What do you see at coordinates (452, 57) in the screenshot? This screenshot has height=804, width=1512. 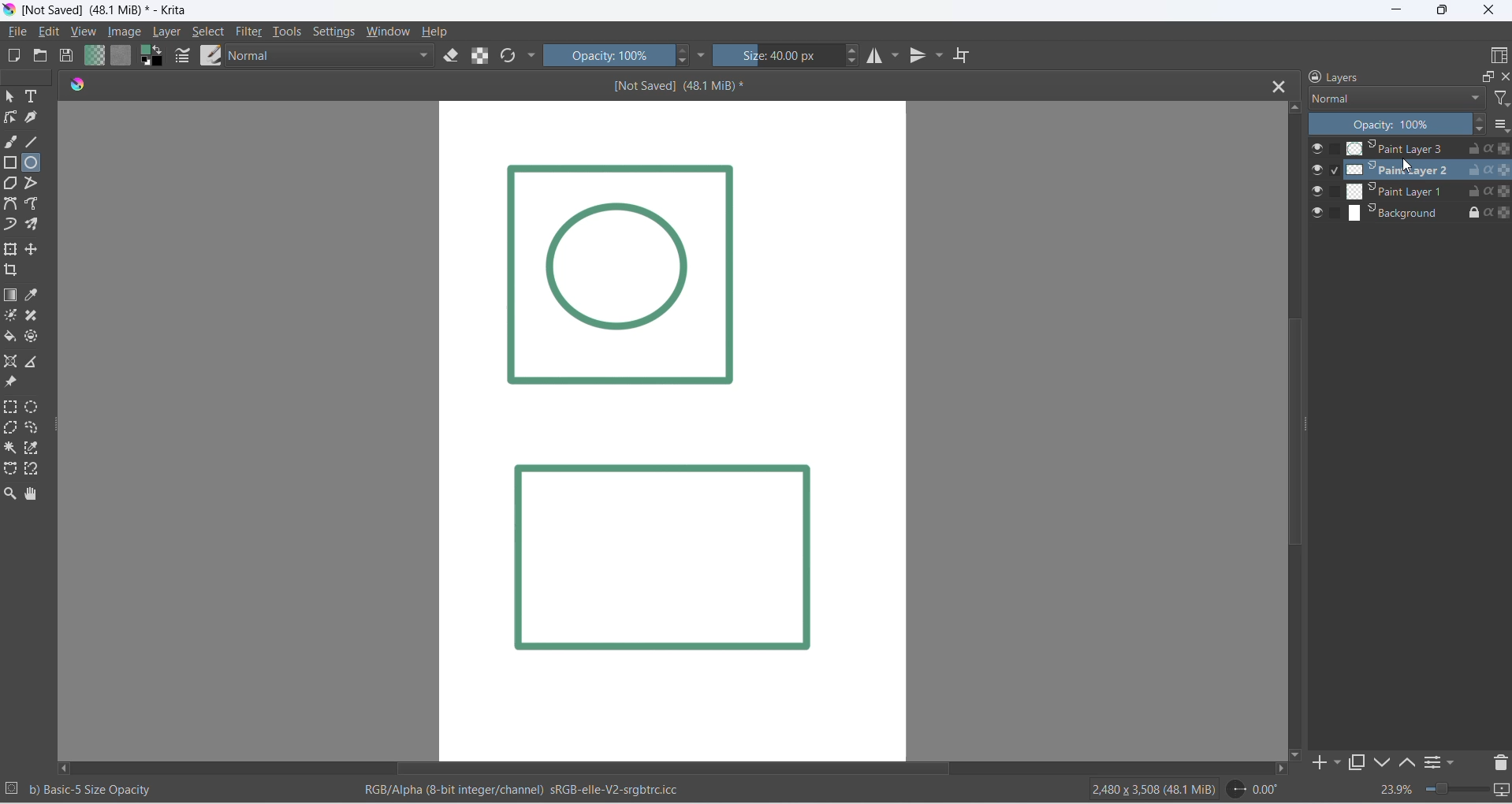 I see `eraser mode` at bounding box center [452, 57].